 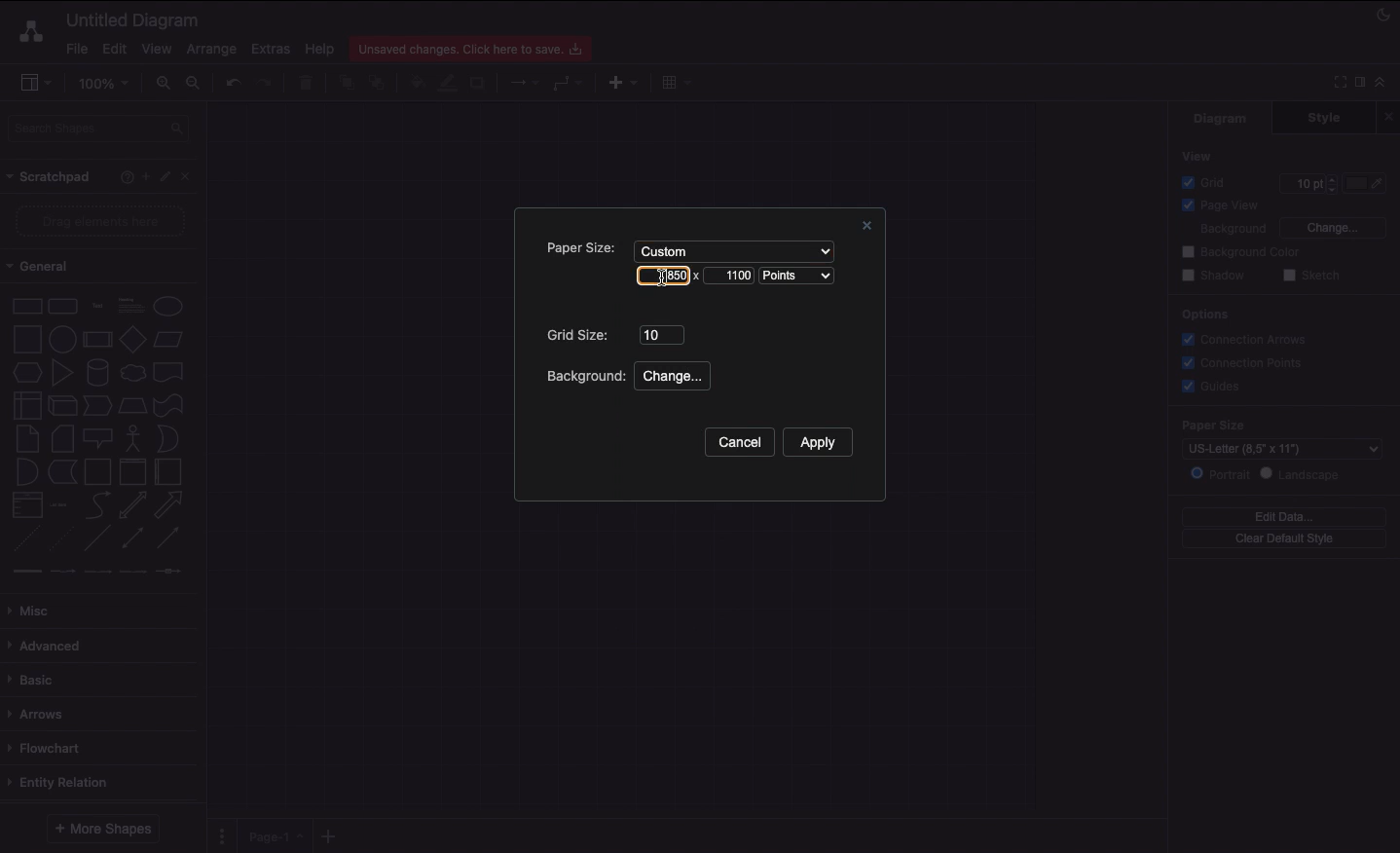 I want to click on Cylinder, so click(x=97, y=373).